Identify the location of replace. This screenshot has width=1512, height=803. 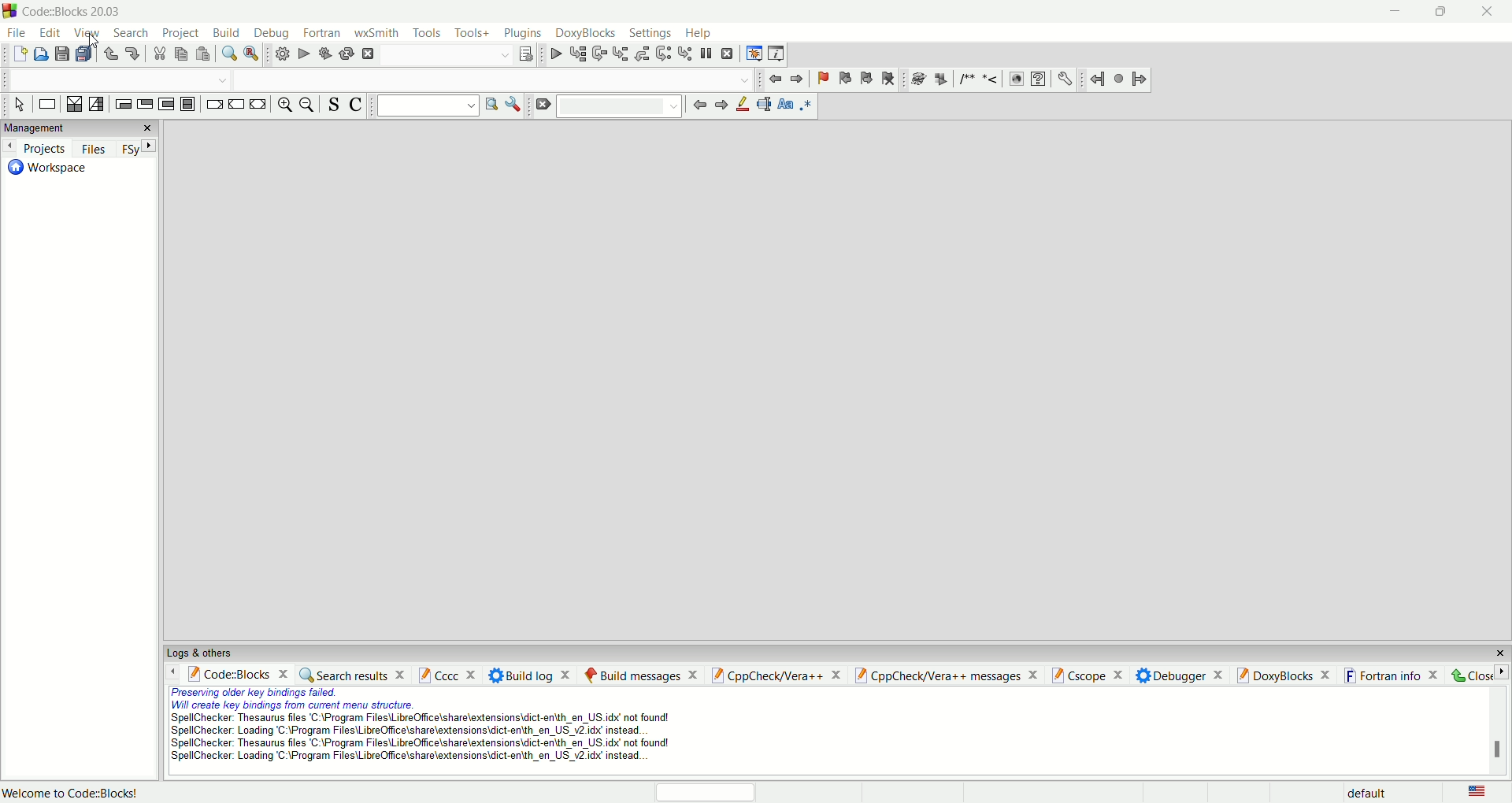
(254, 54).